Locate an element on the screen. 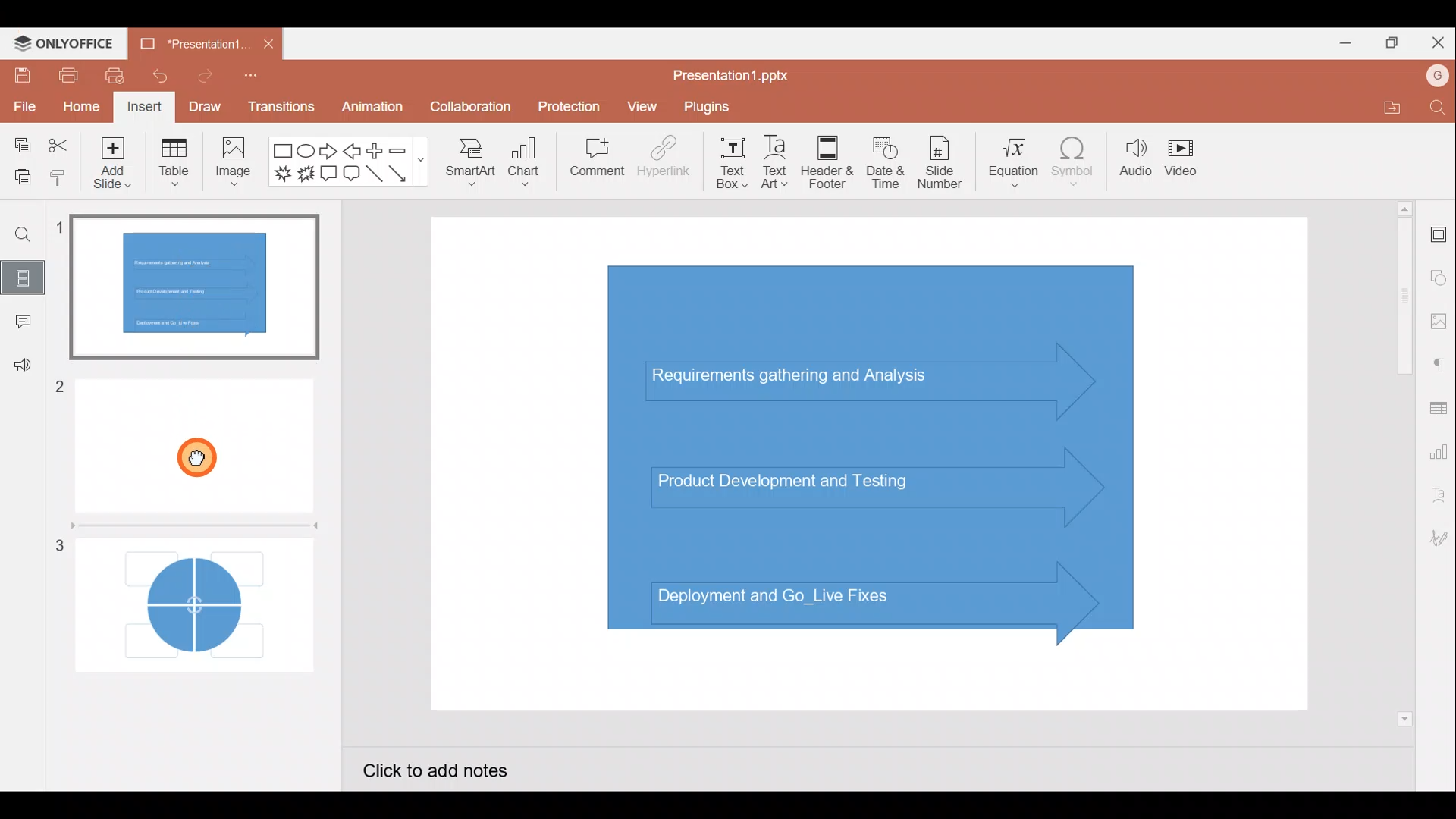 The image size is (1456, 819). Home is located at coordinates (80, 108).